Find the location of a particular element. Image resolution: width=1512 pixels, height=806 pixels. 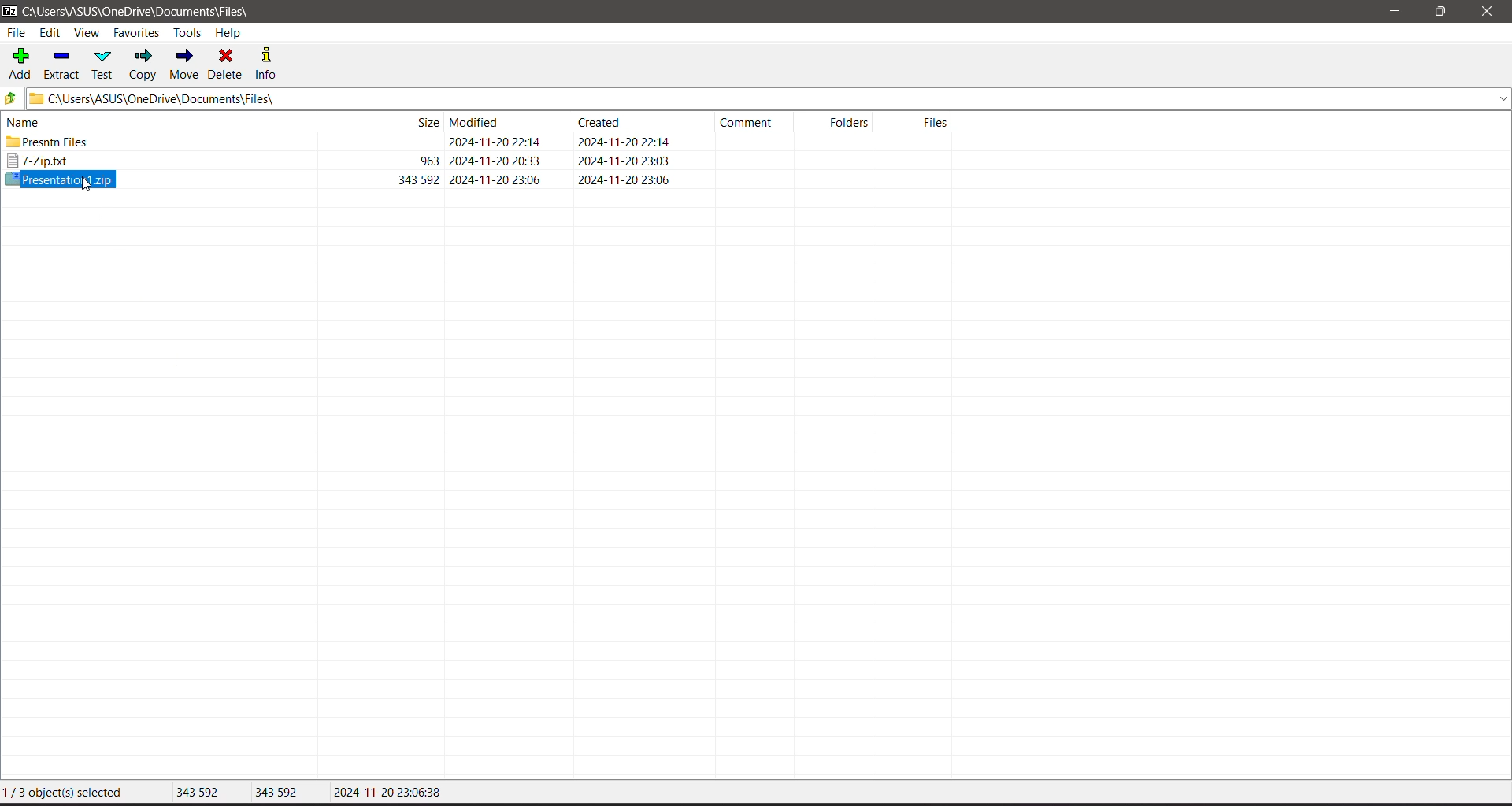

2024-11-20 23:06:38 is located at coordinates (384, 790).